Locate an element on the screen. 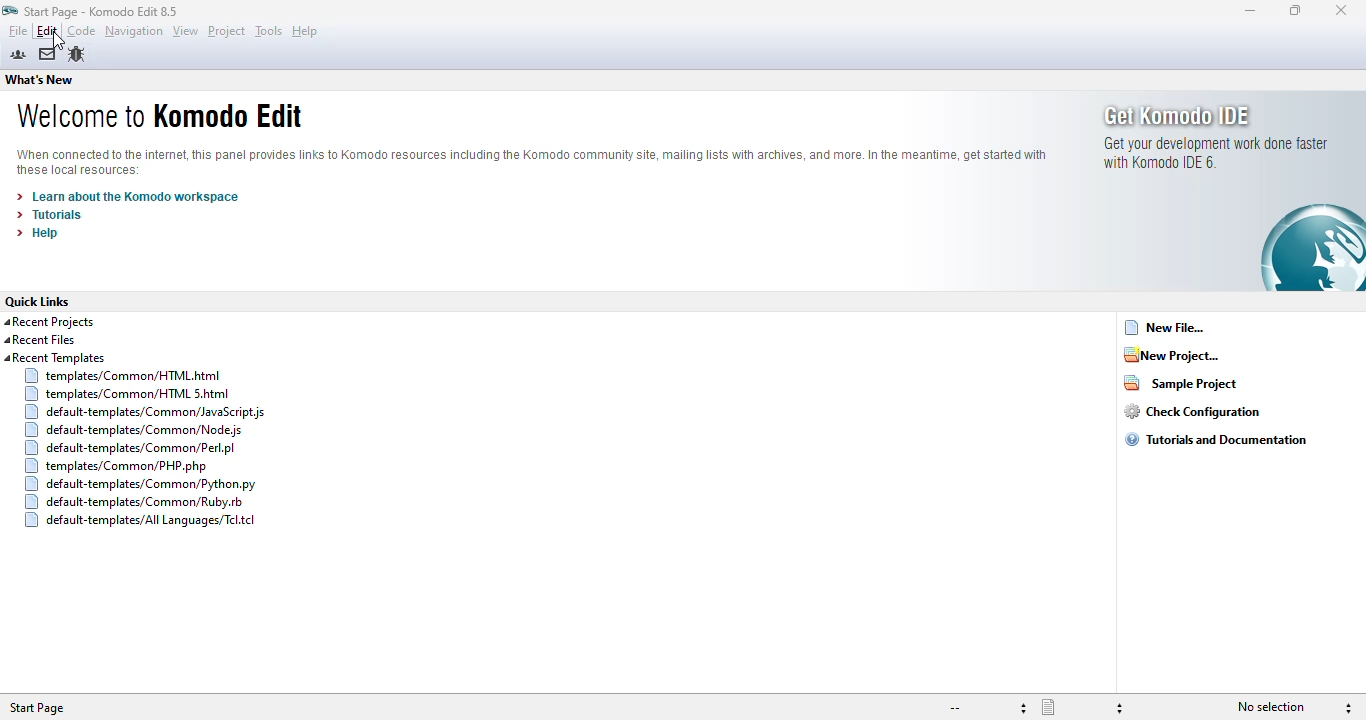  code is located at coordinates (80, 31).